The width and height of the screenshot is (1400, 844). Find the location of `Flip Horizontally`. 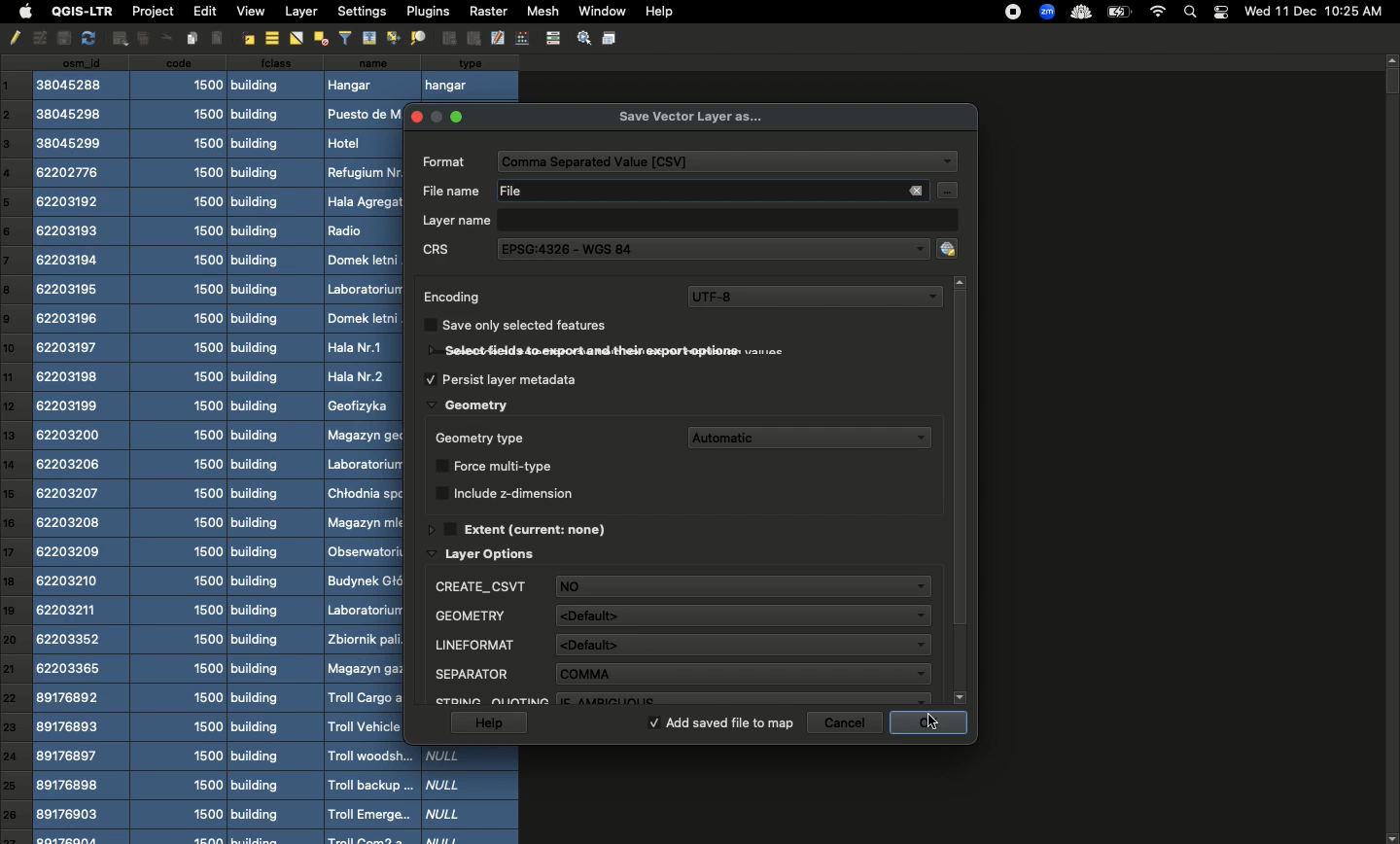

Flip Horizontally is located at coordinates (295, 39).